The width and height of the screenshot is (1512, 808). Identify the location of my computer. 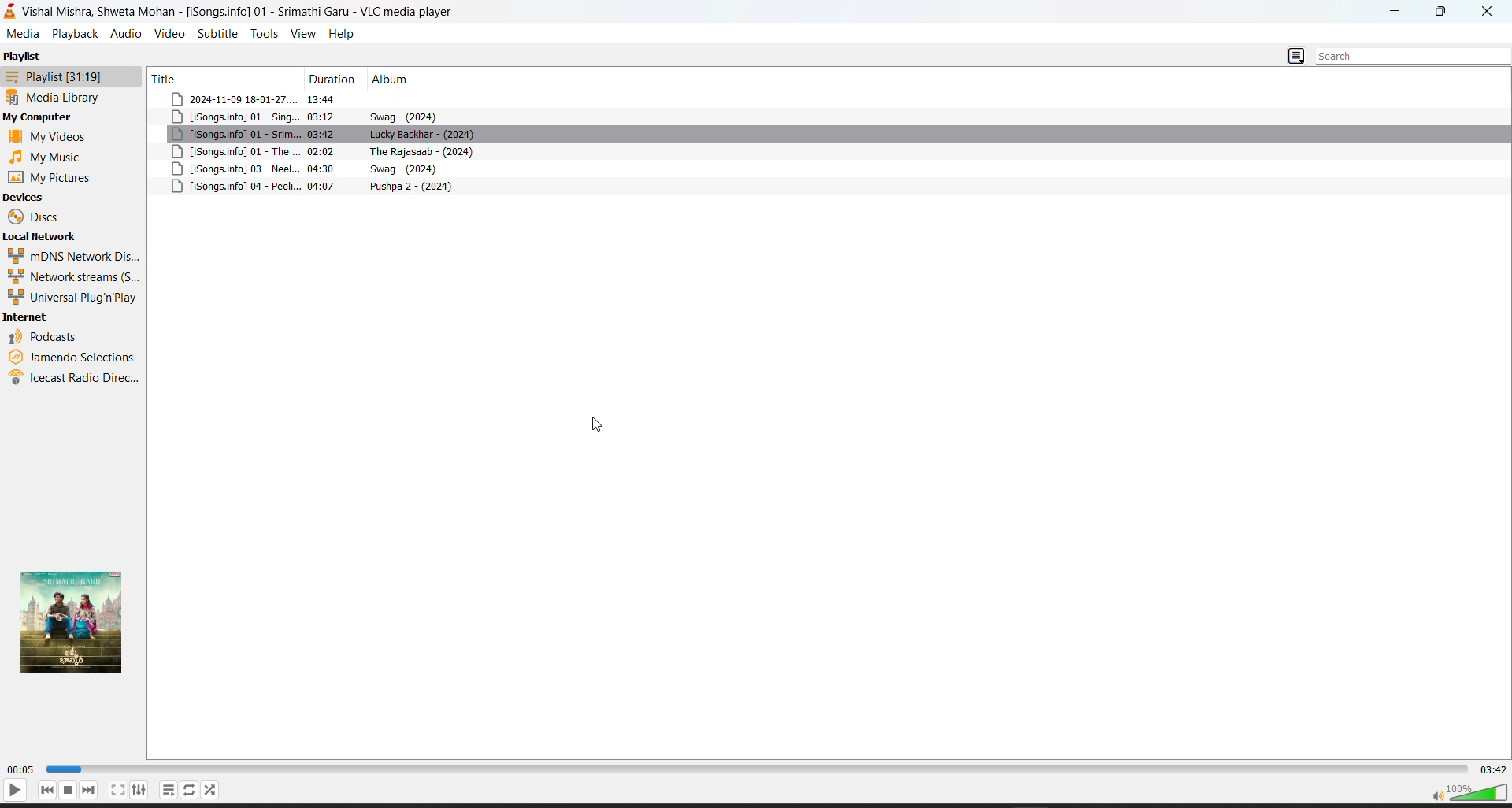
(39, 117).